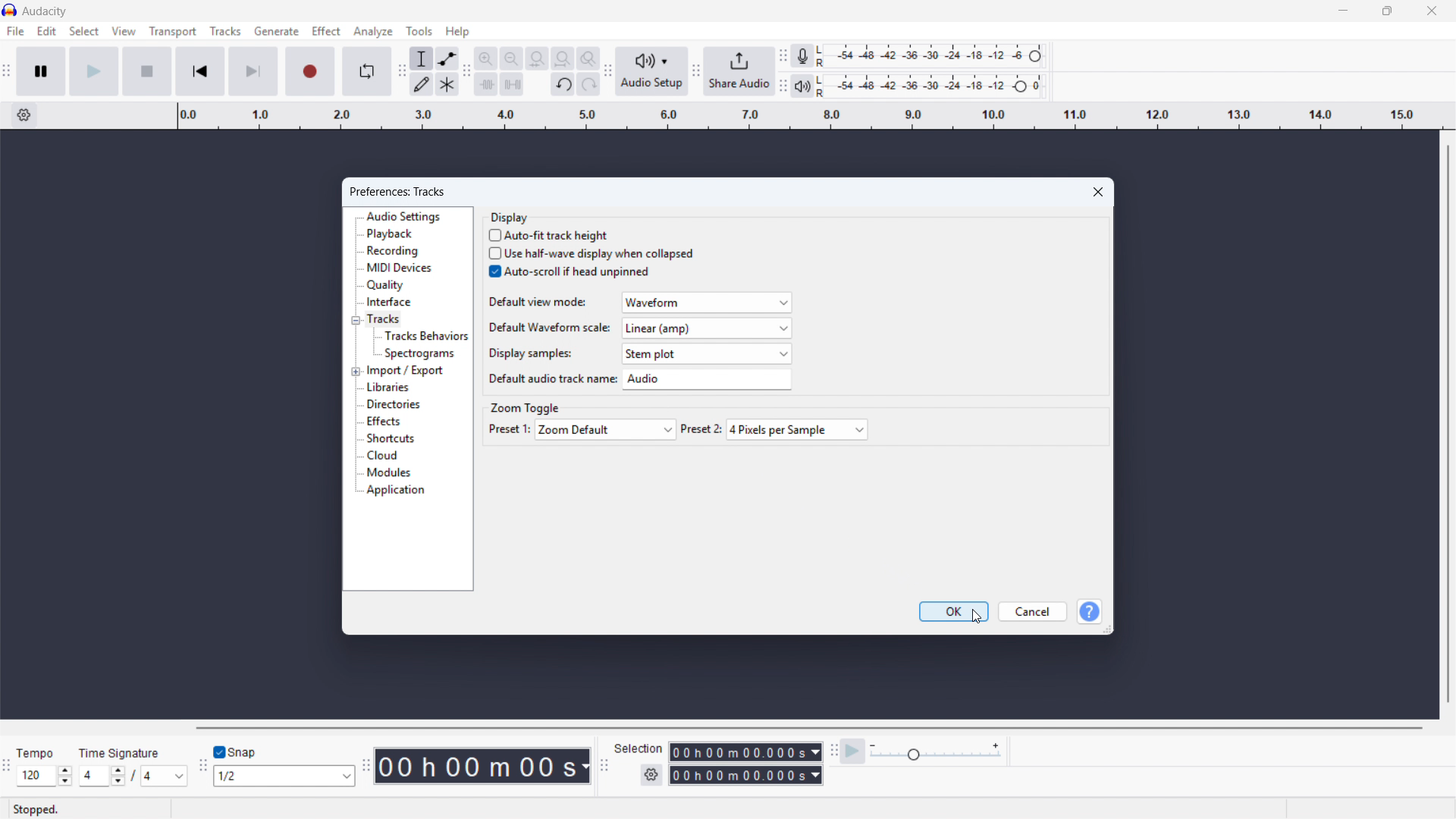  What do you see at coordinates (936, 752) in the screenshot?
I see `playback speed` at bounding box center [936, 752].